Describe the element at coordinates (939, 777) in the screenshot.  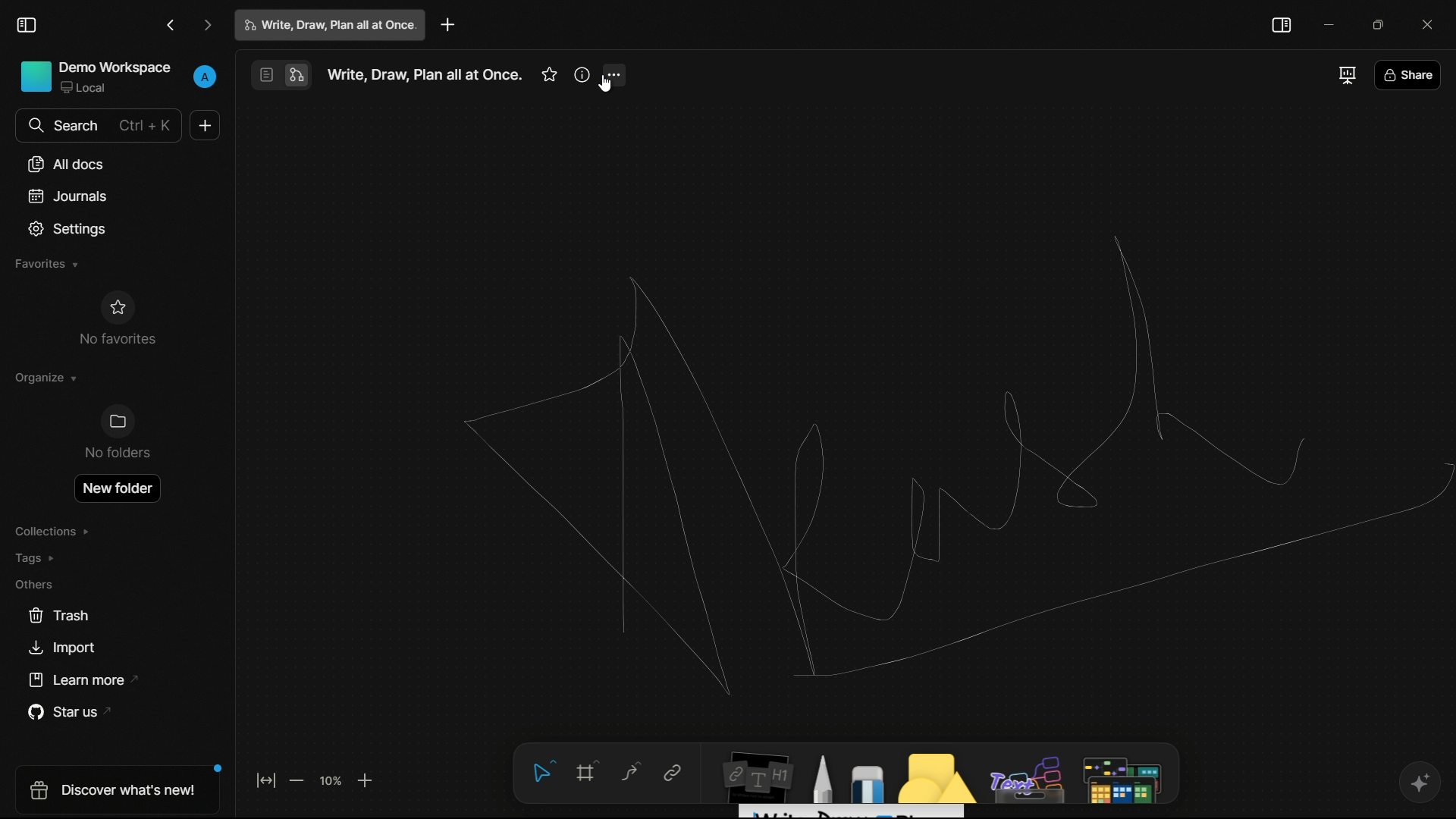
I see `shapes` at that location.